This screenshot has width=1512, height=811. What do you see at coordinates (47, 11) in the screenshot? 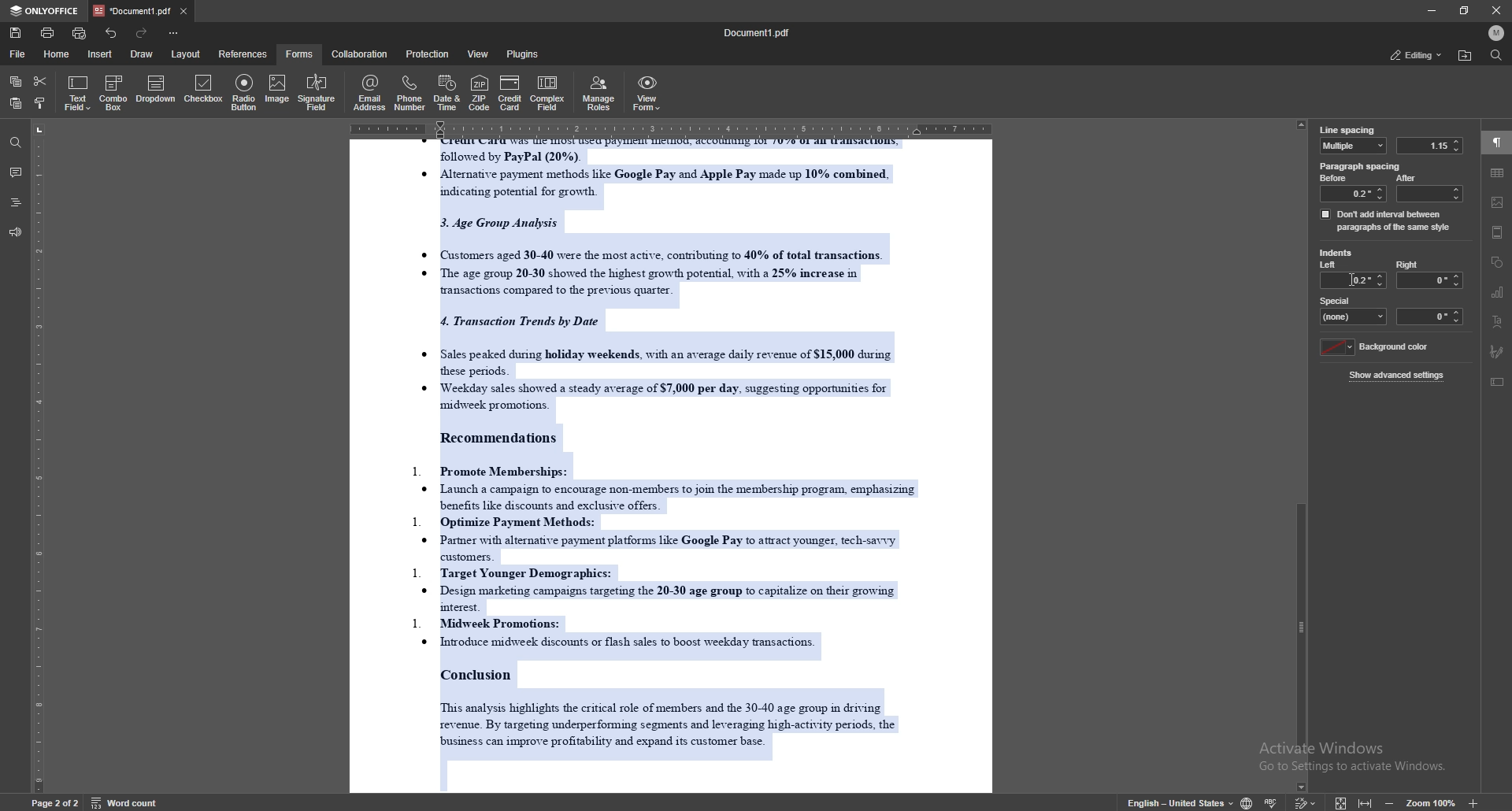
I see `onlyoffice` at bounding box center [47, 11].